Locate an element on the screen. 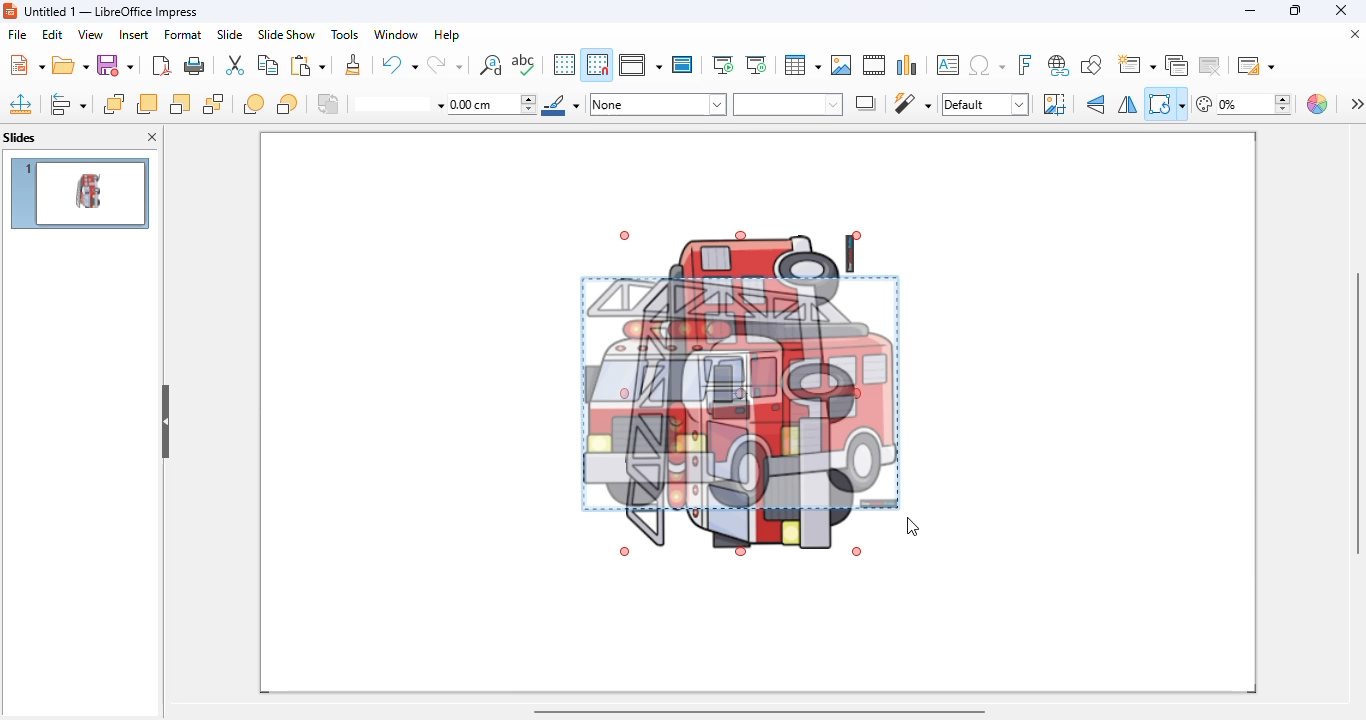 The image size is (1366, 720). undo is located at coordinates (398, 63).